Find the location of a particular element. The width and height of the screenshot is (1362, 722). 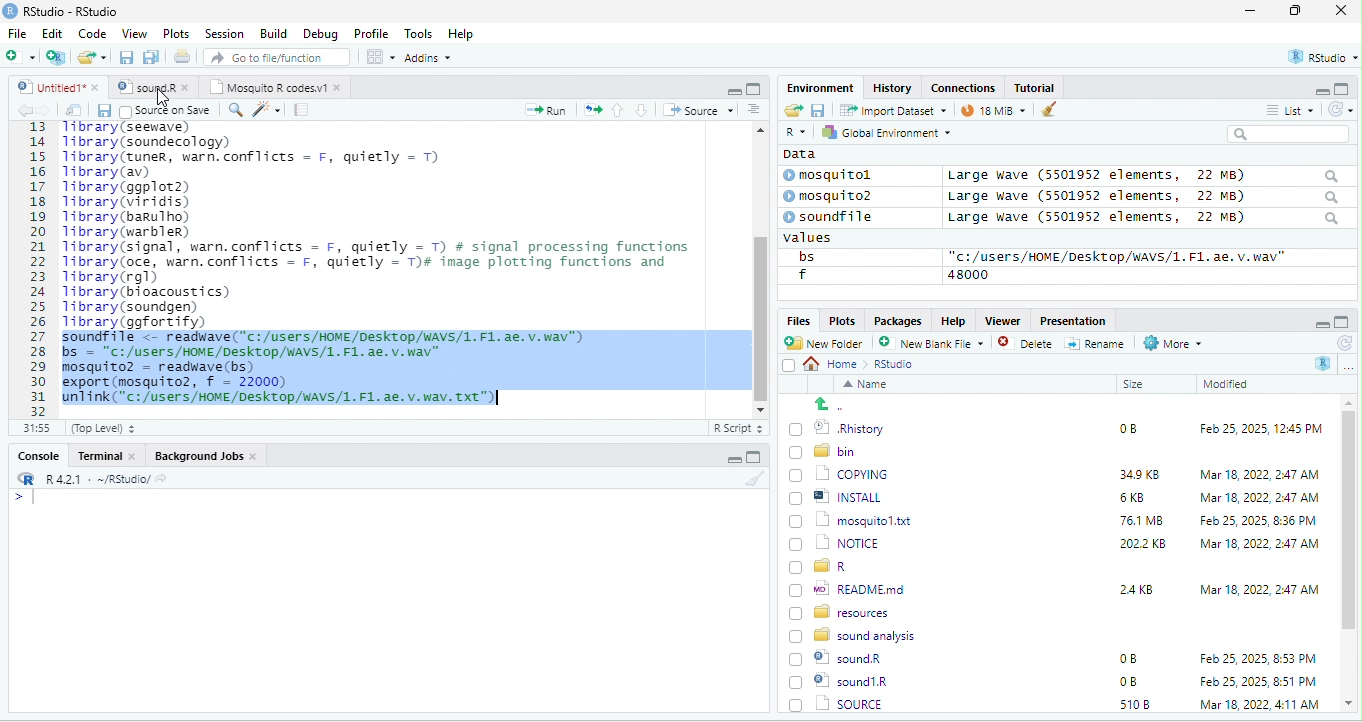

save as is located at coordinates (153, 58).